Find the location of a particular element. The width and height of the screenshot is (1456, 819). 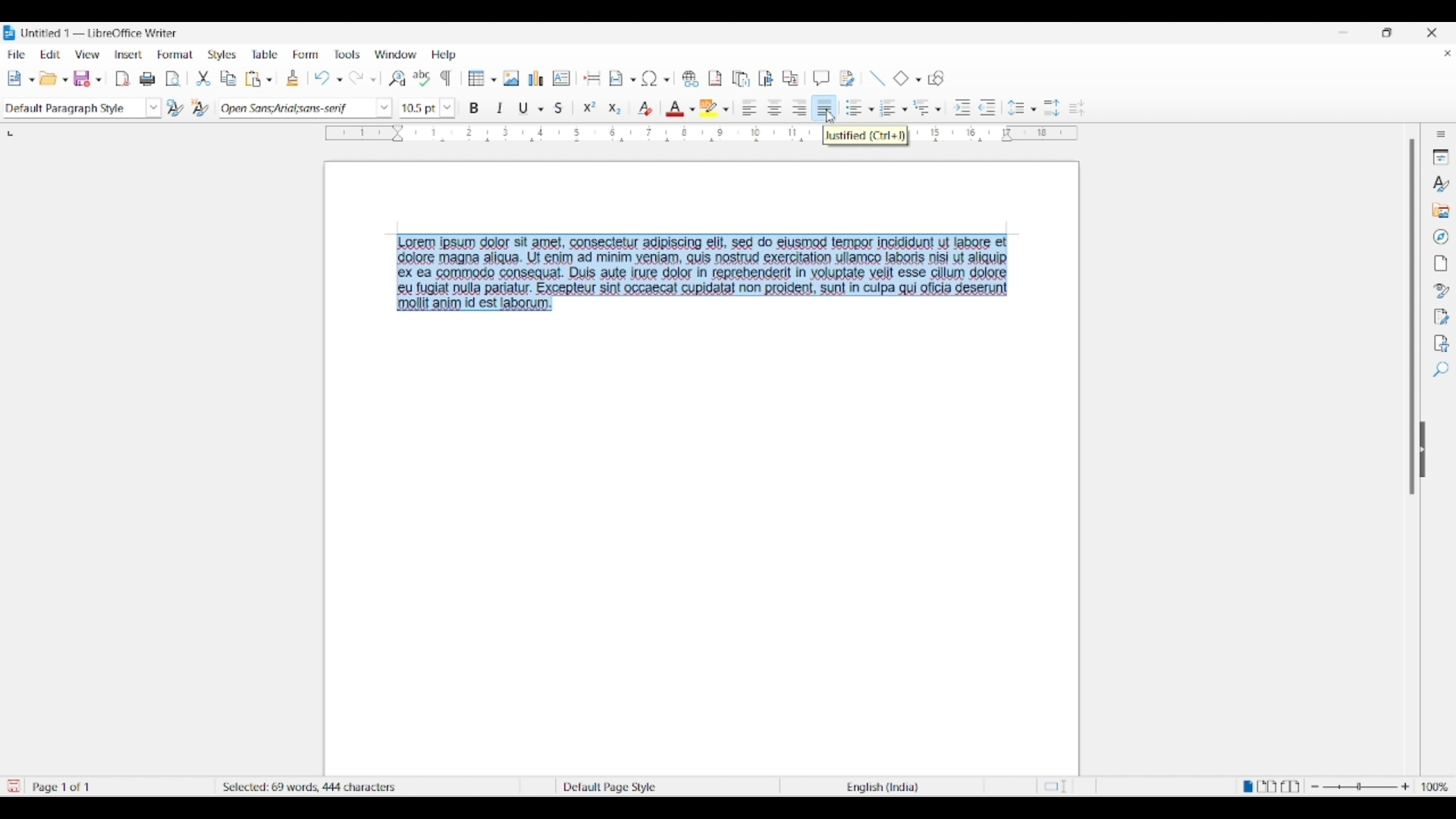

Selected toggle ordered list is located at coordinates (888, 107).